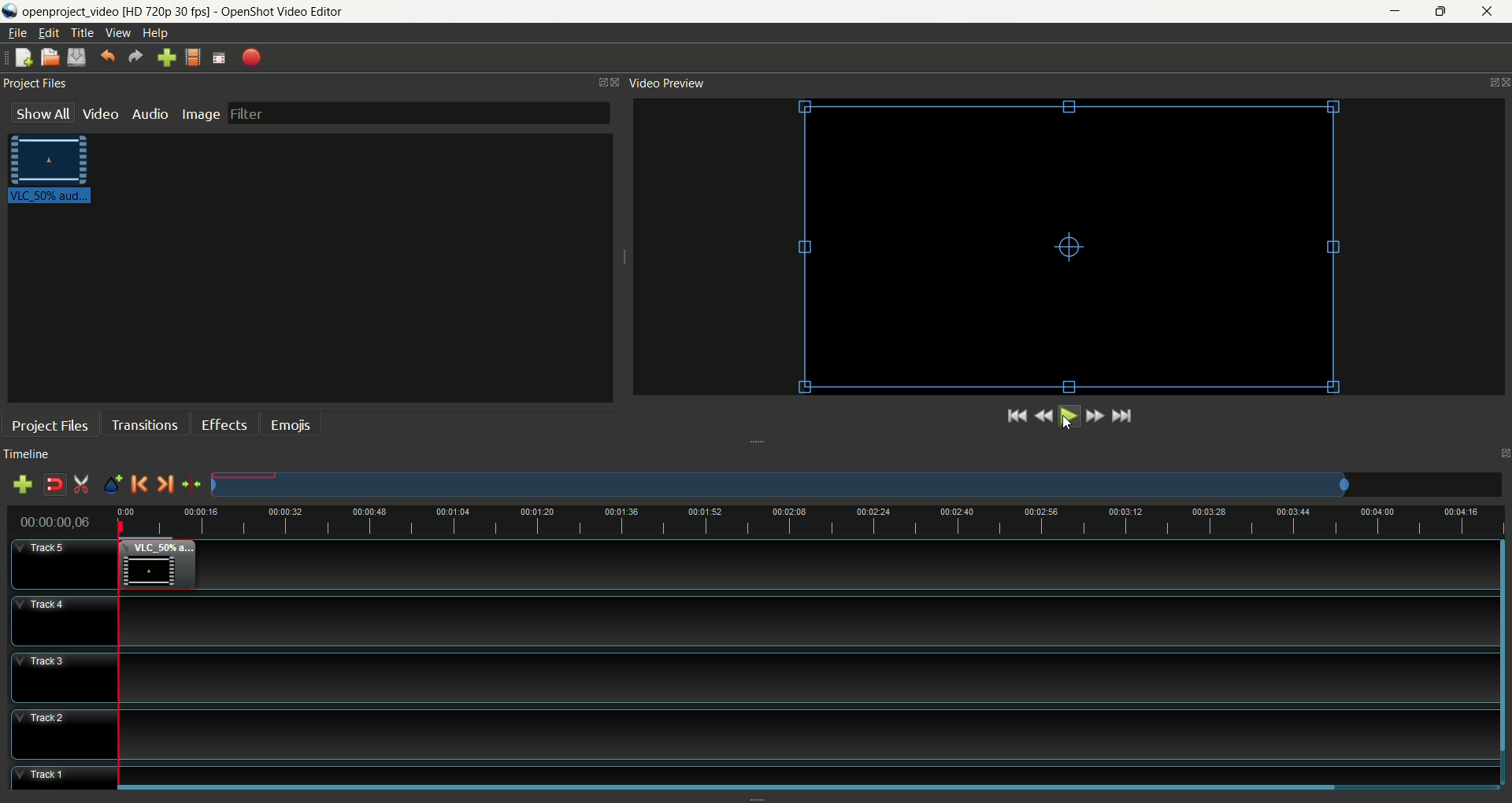  I want to click on undo, so click(107, 54).